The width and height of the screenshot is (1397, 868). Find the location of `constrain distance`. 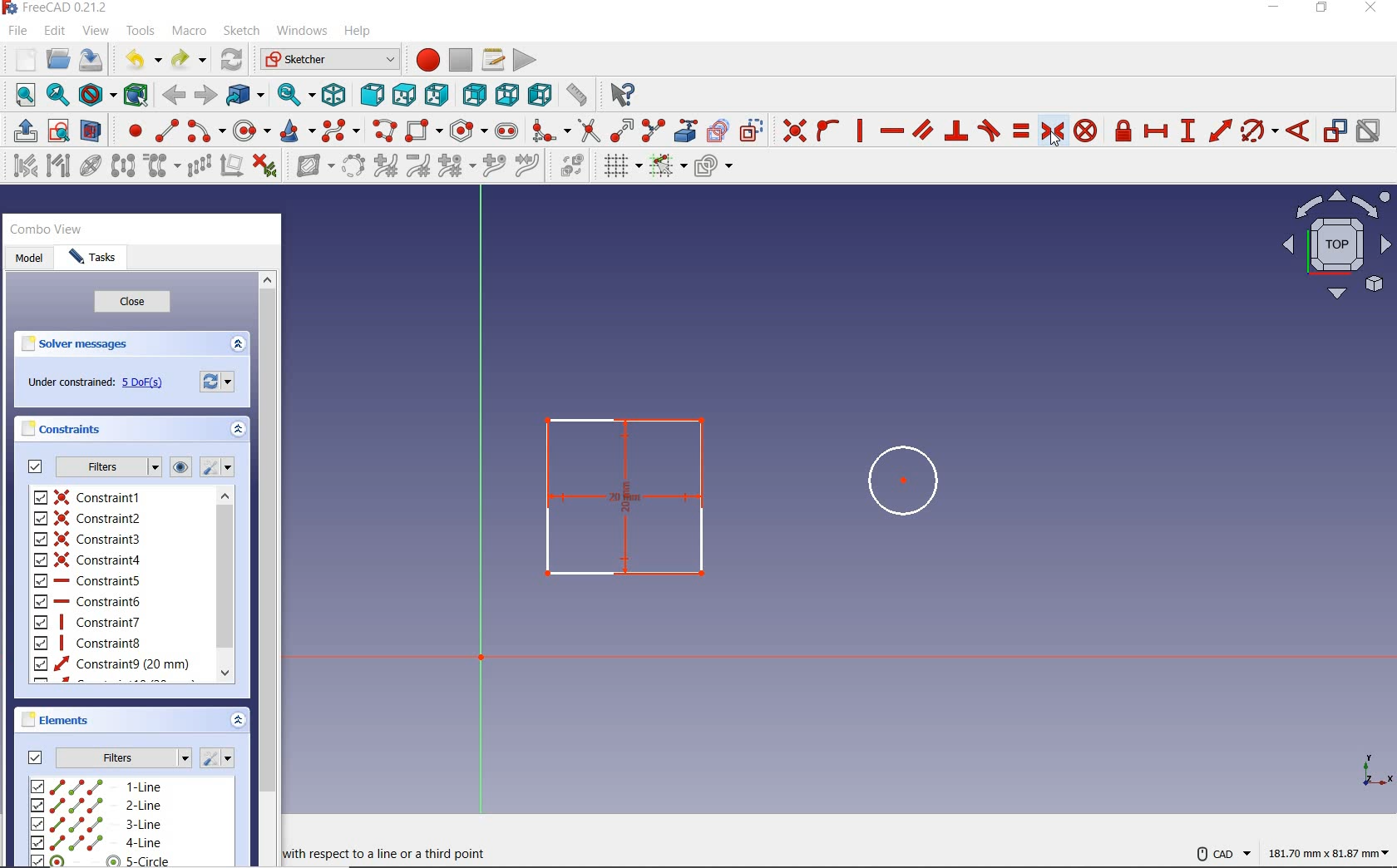

constrain distance is located at coordinates (1218, 131).